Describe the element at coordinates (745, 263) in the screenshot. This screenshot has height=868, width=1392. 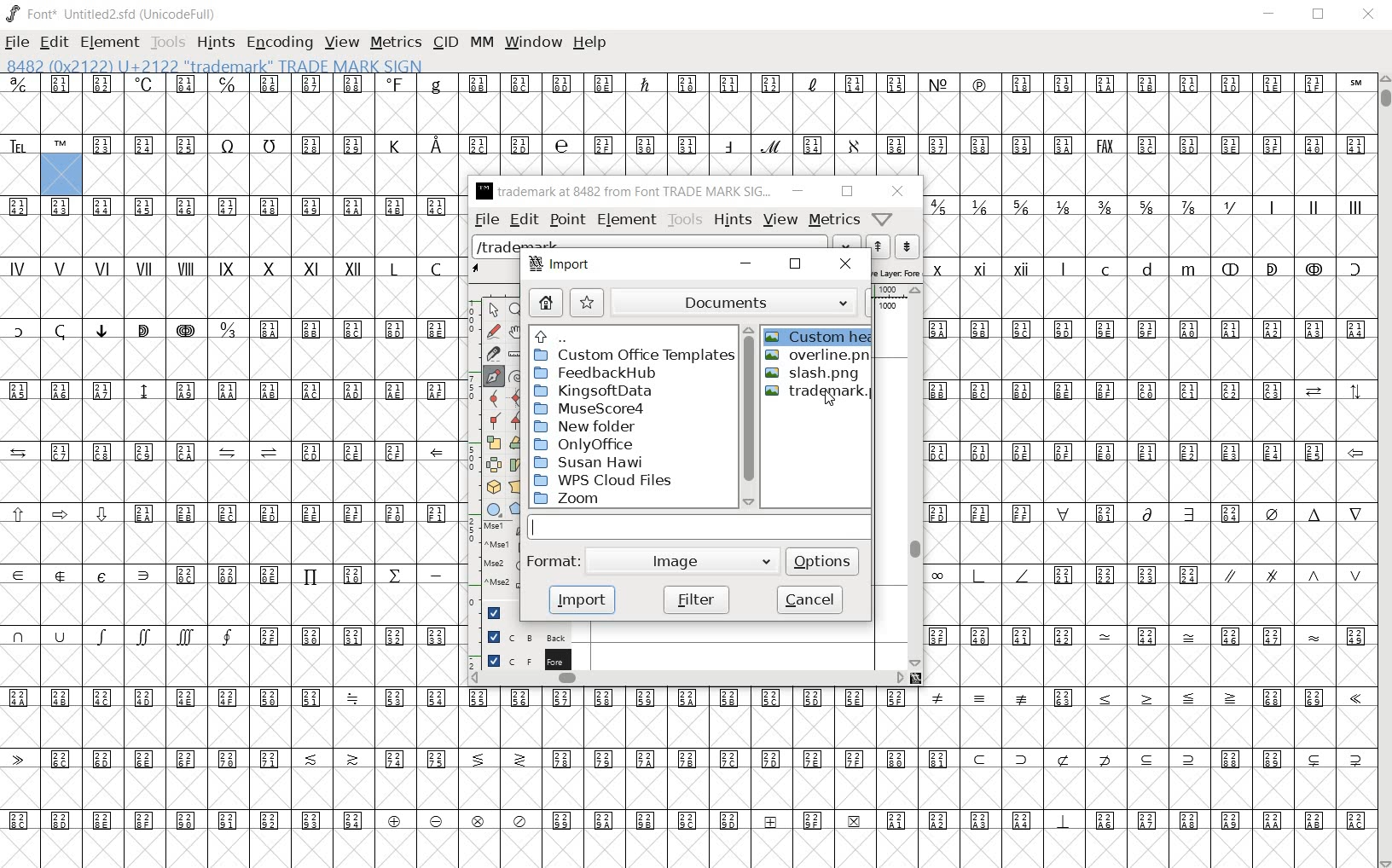
I see `minimize` at that location.